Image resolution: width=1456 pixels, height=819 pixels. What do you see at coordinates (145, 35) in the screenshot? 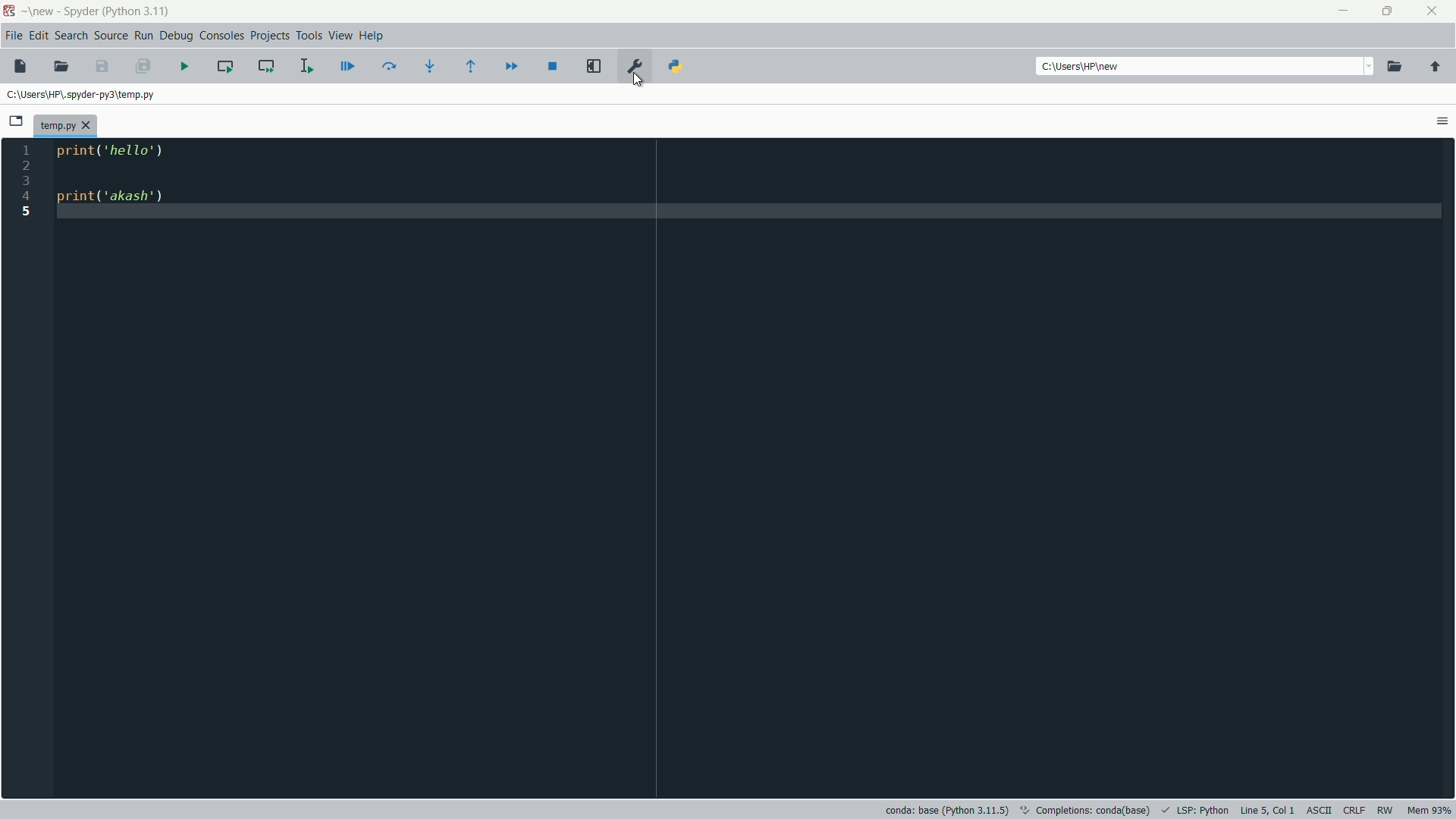
I see `run menu` at bounding box center [145, 35].